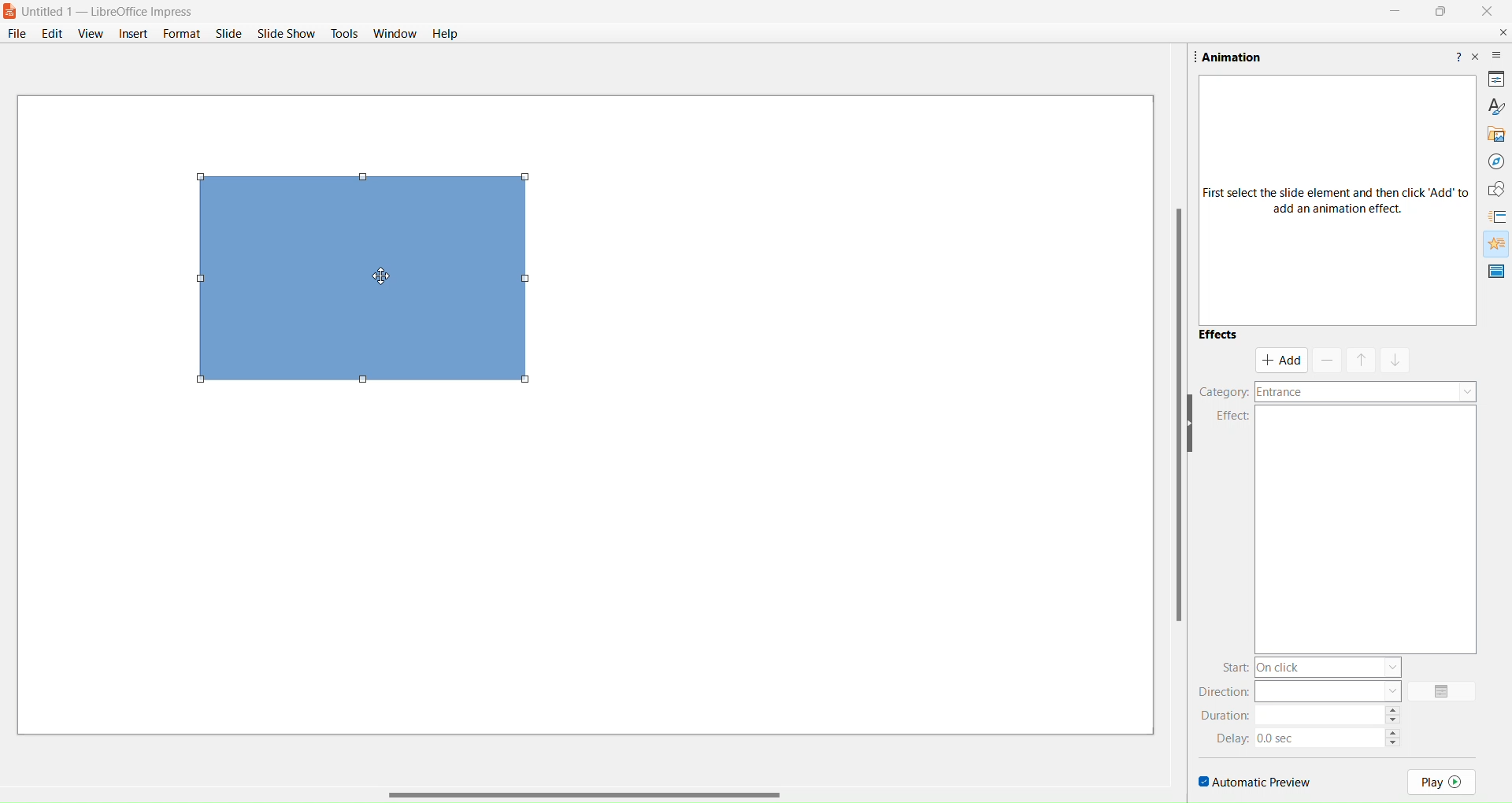 The height and width of the screenshot is (803, 1512). What do you see at coordinates (1495, 80) in the screenshot?
I see `properties` at bounding box center [1495, 80].